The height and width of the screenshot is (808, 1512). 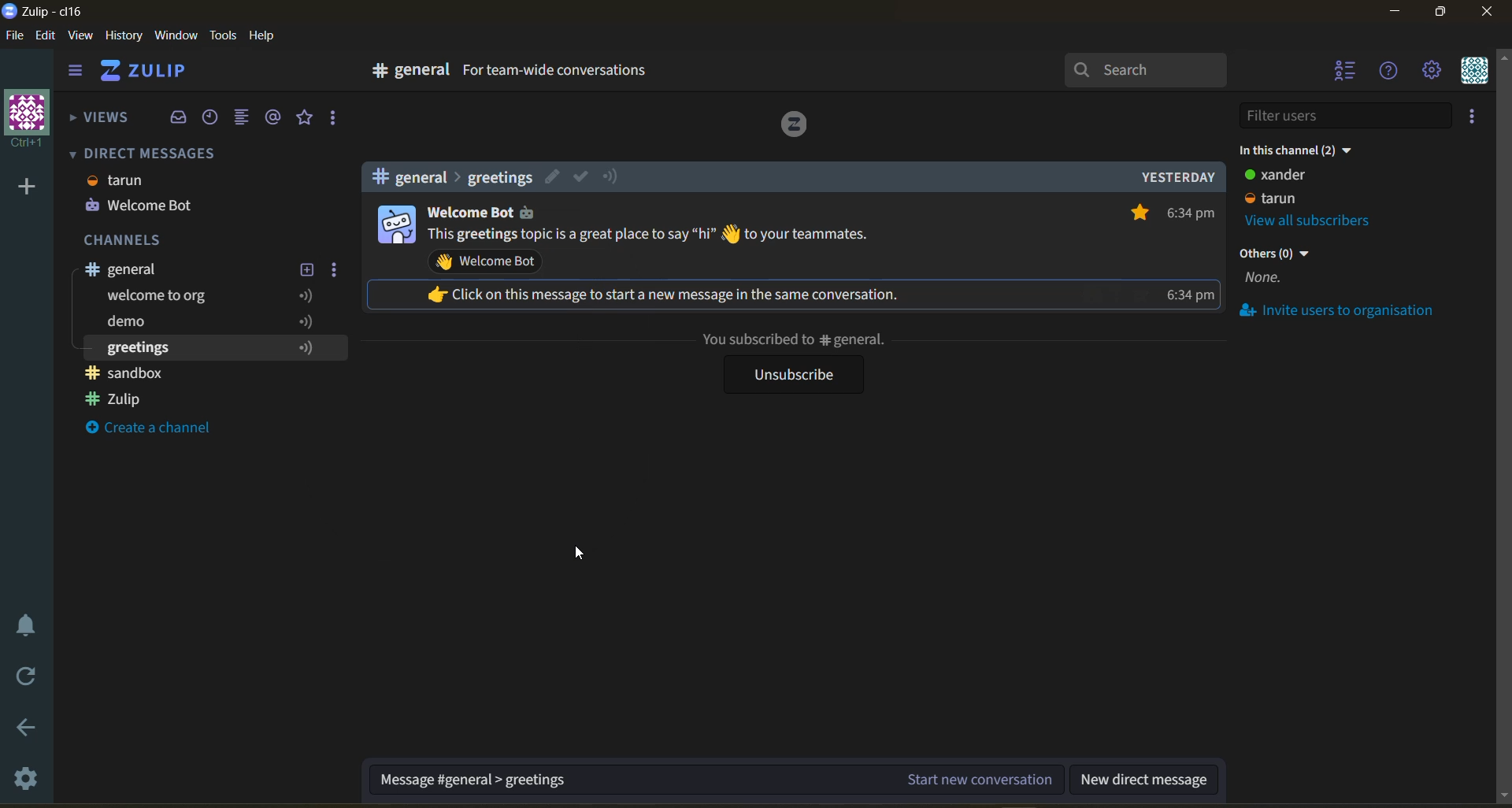 What do you see at coordinates (1350, 116) in the screenshot?
I see `filter users` at bounding box center [1350, 116].